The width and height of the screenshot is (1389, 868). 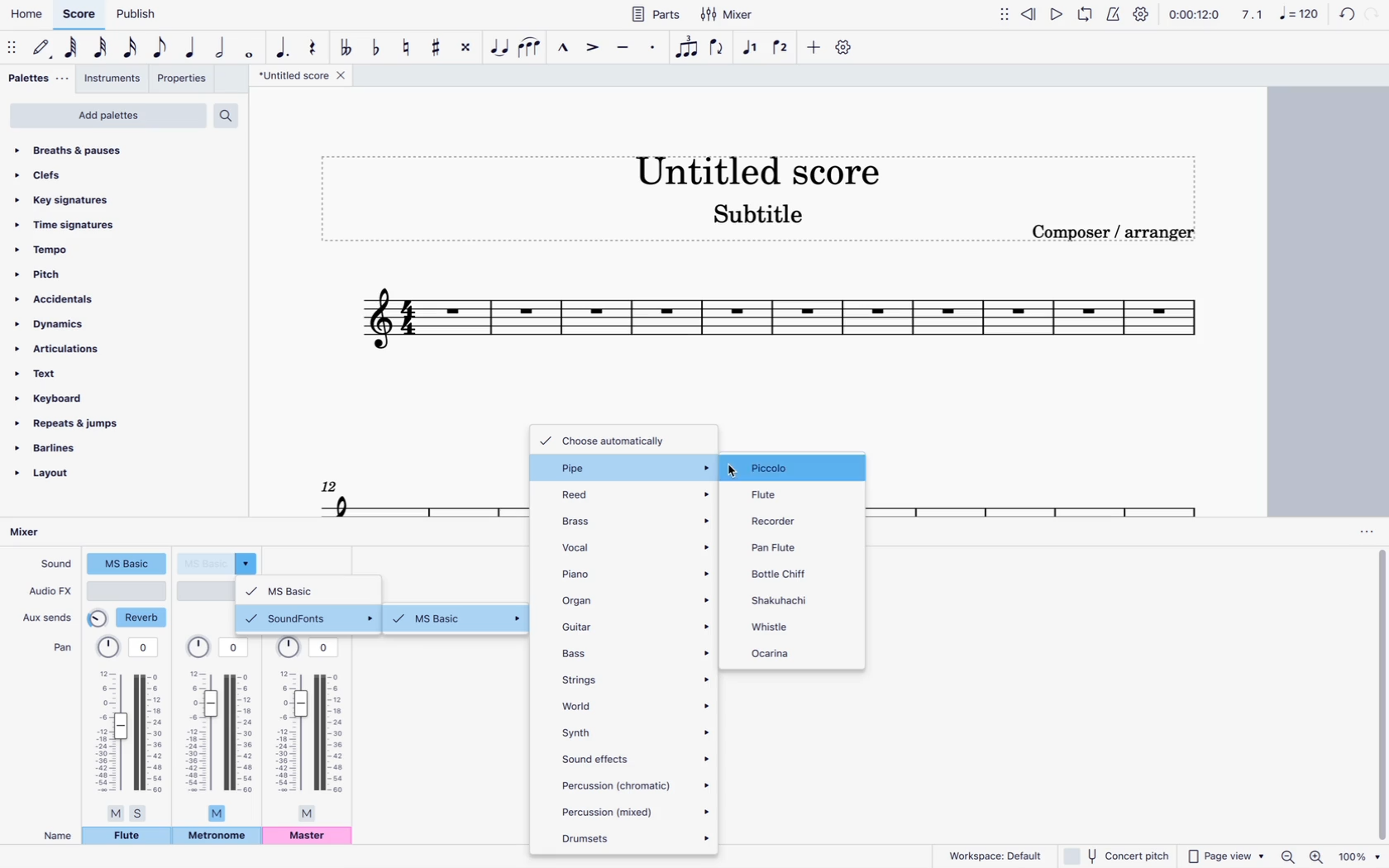 What do you see at coordinates (87, 374) in the screenshot?
I see `text` at bounding box center [87, 374].